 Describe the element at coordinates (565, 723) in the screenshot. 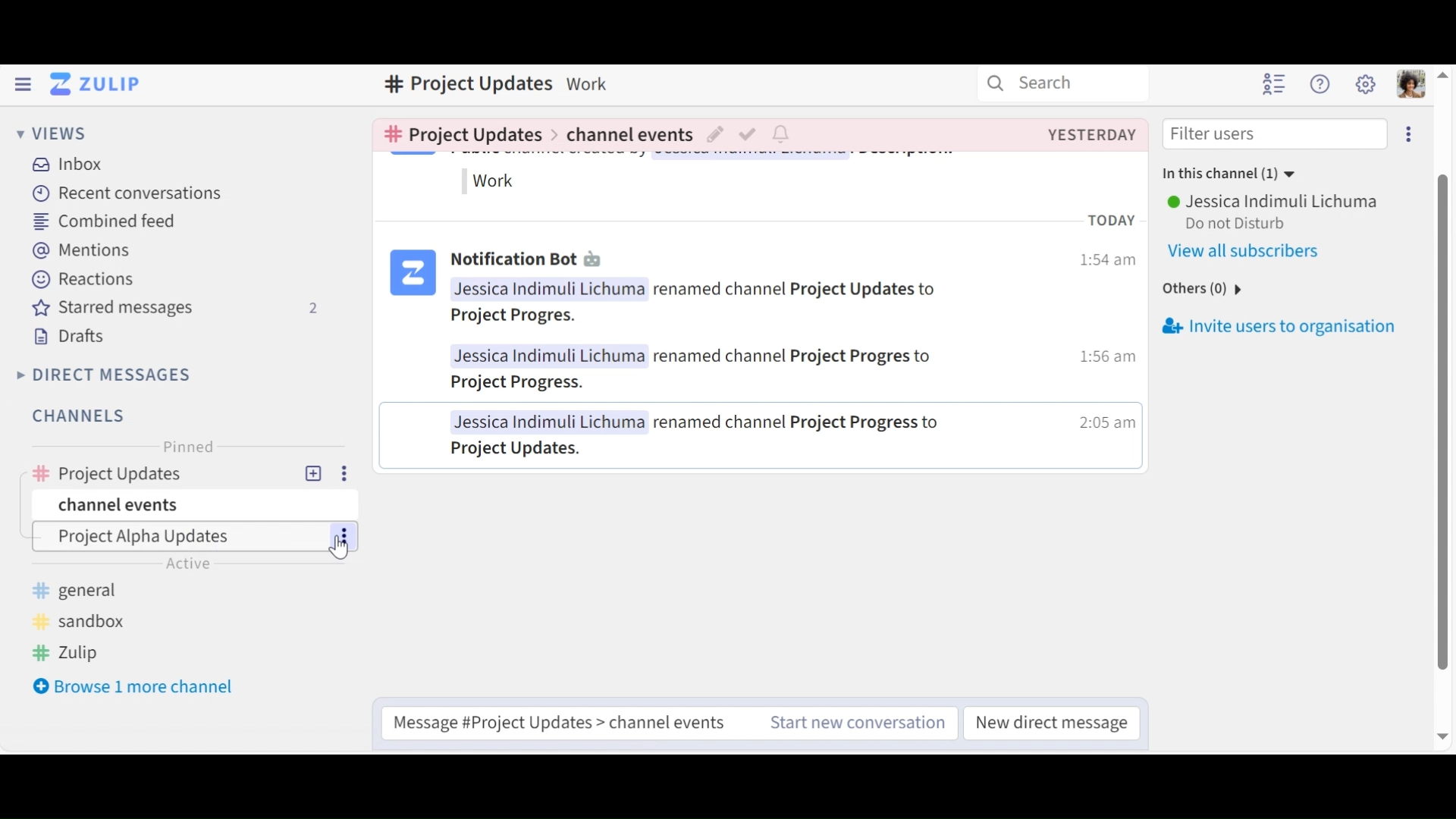

I see `Message #Project Updates > channel events` at that location.